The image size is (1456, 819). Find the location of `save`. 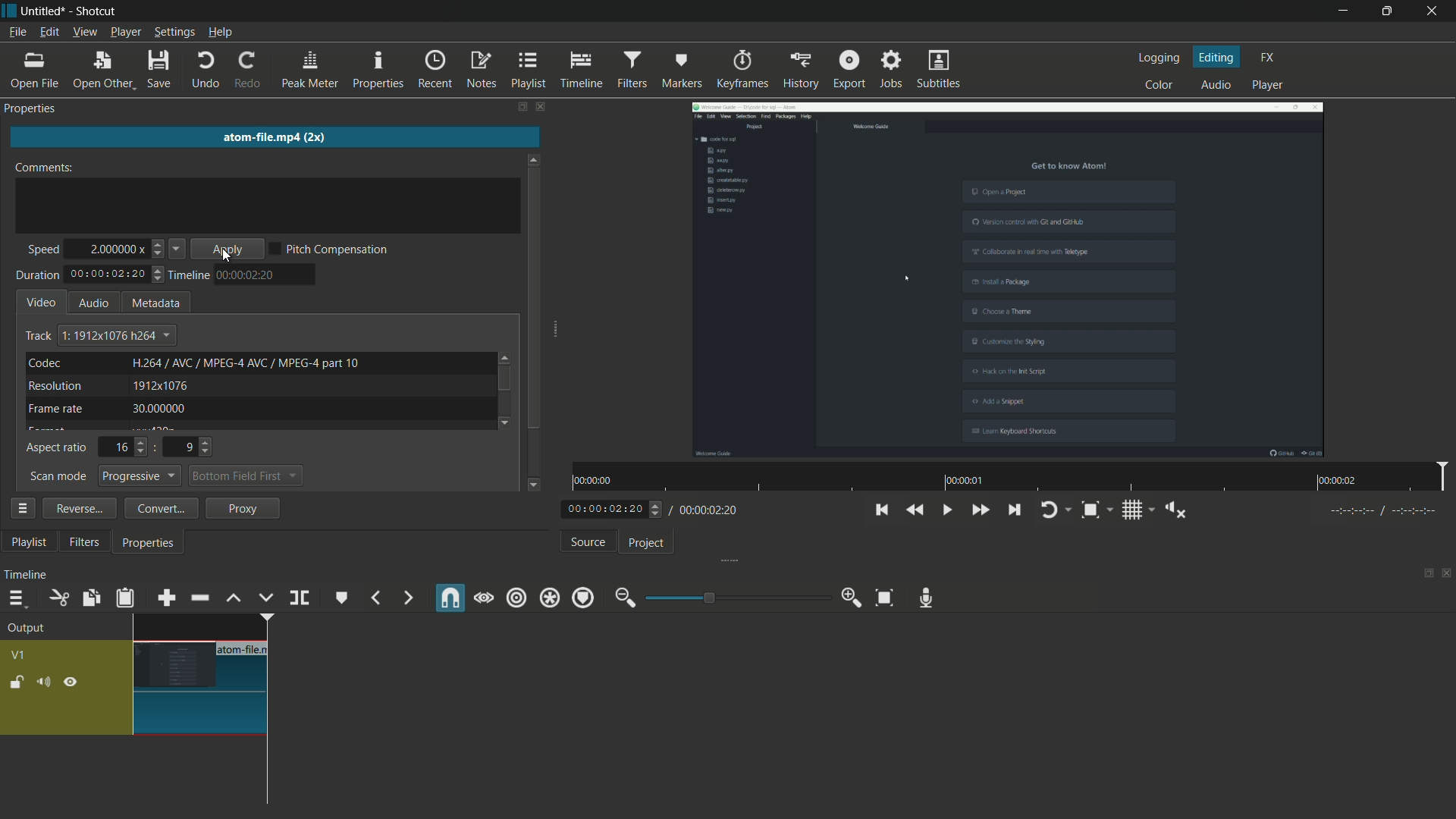

save is located at coordinates (161, 70).